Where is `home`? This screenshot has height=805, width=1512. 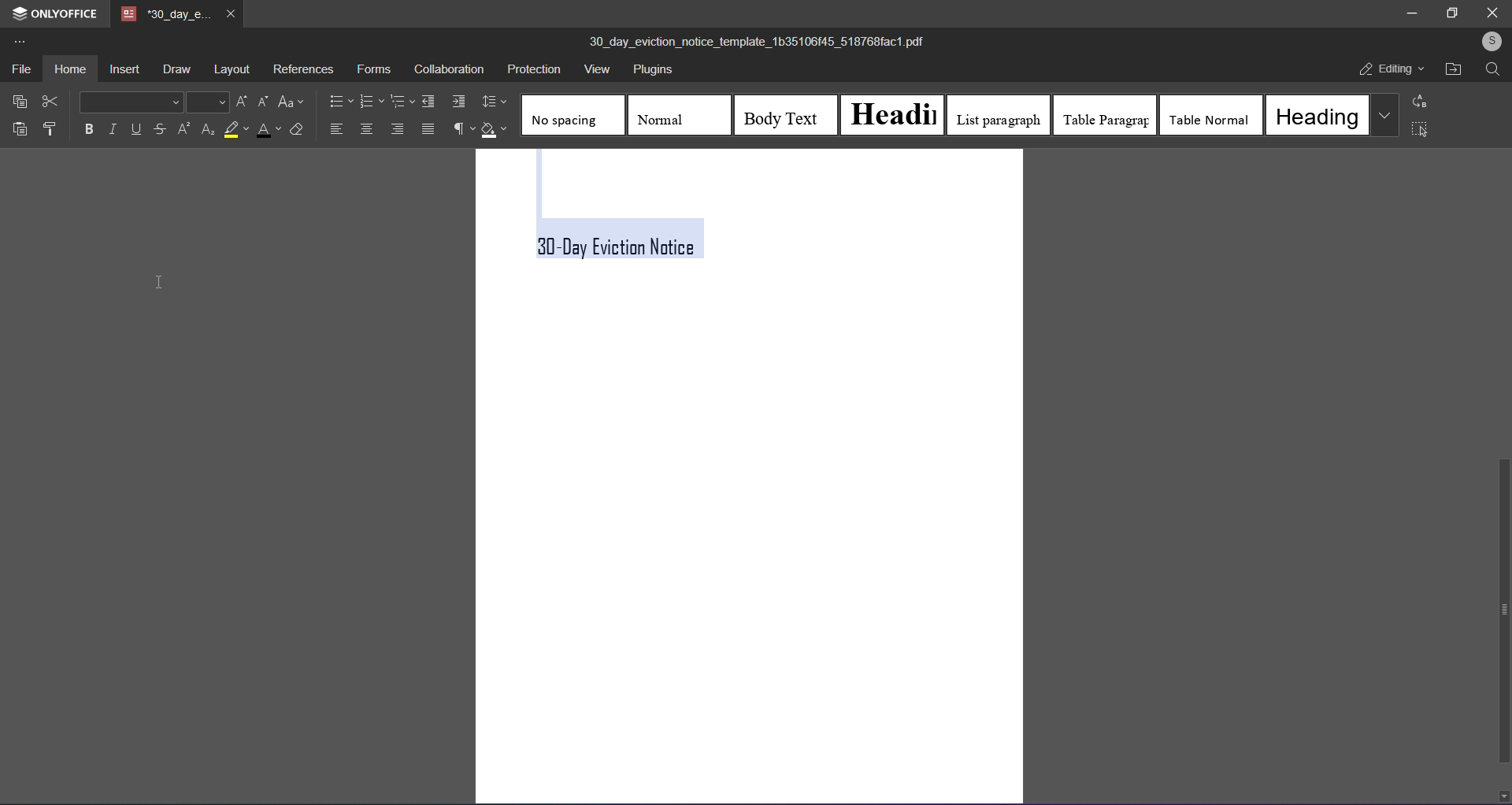 home is located at coordinates (69, 68).